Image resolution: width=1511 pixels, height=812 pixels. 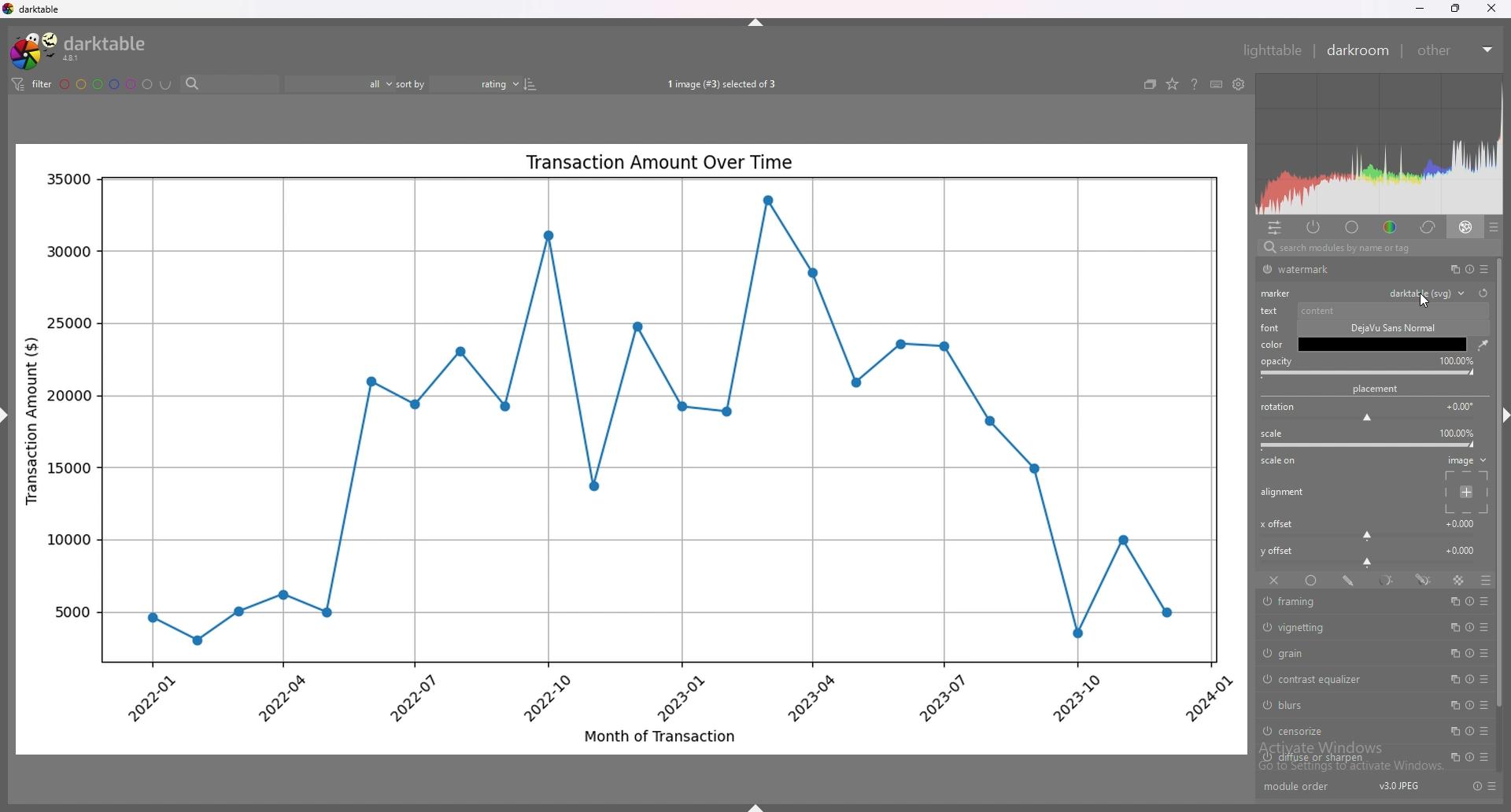 What do you see at coordinates (1453, 680) in the screenshot?
I see `multiple instances action` at bounding box center [1453, 680].